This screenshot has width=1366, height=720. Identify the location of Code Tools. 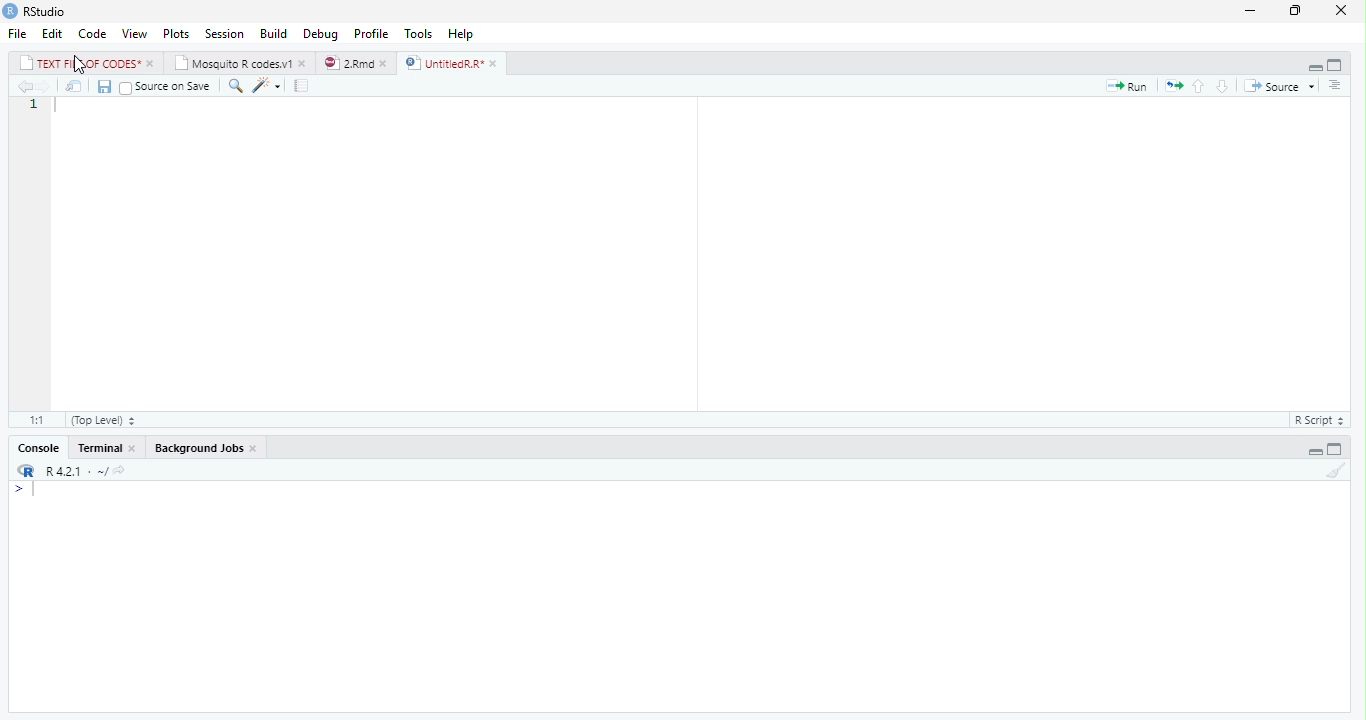
(268, 87).